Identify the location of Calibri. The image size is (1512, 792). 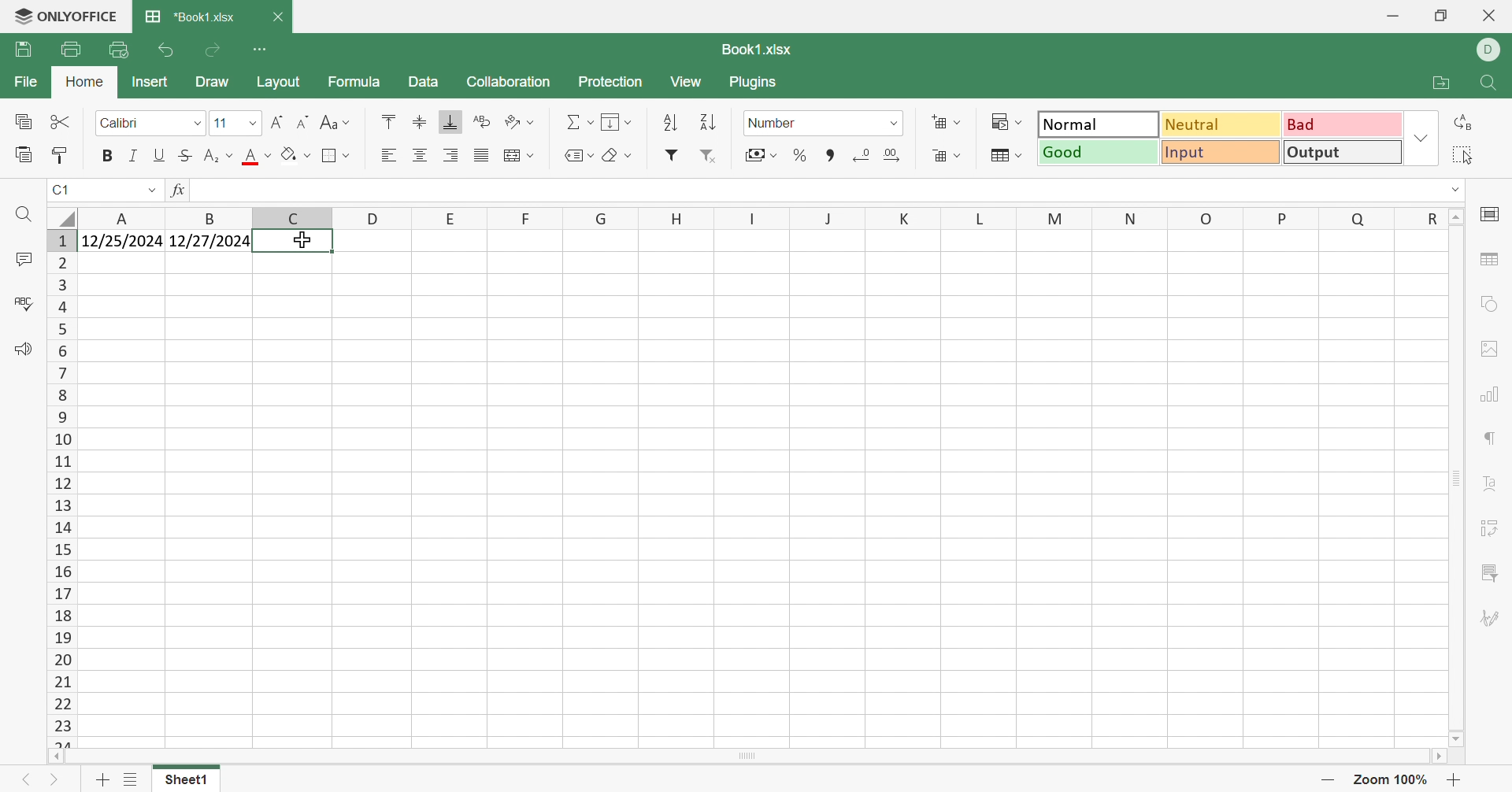
(125, 124).